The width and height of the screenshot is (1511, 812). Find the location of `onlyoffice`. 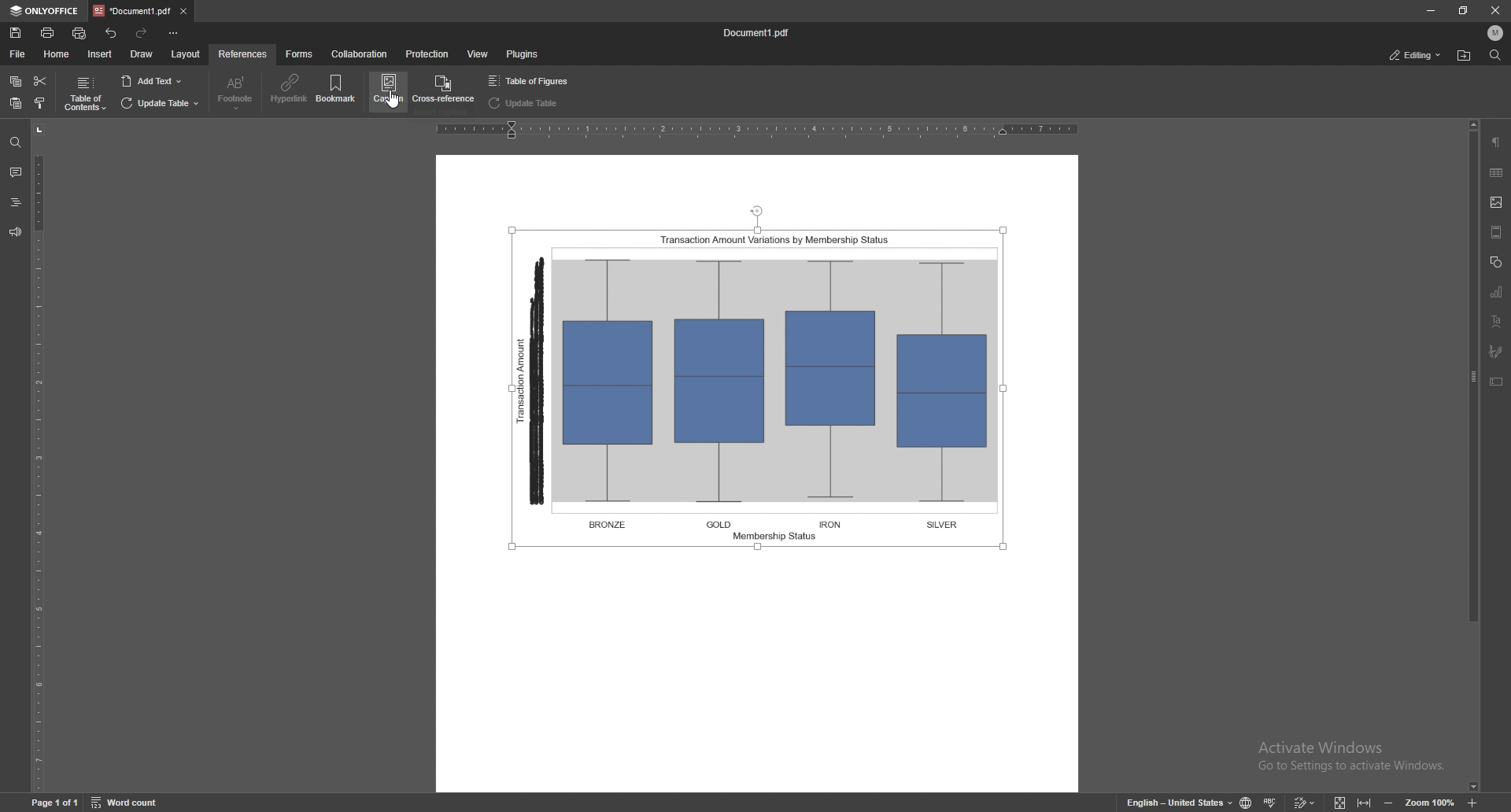

onlyoffice is located at coordinates (46, 10).